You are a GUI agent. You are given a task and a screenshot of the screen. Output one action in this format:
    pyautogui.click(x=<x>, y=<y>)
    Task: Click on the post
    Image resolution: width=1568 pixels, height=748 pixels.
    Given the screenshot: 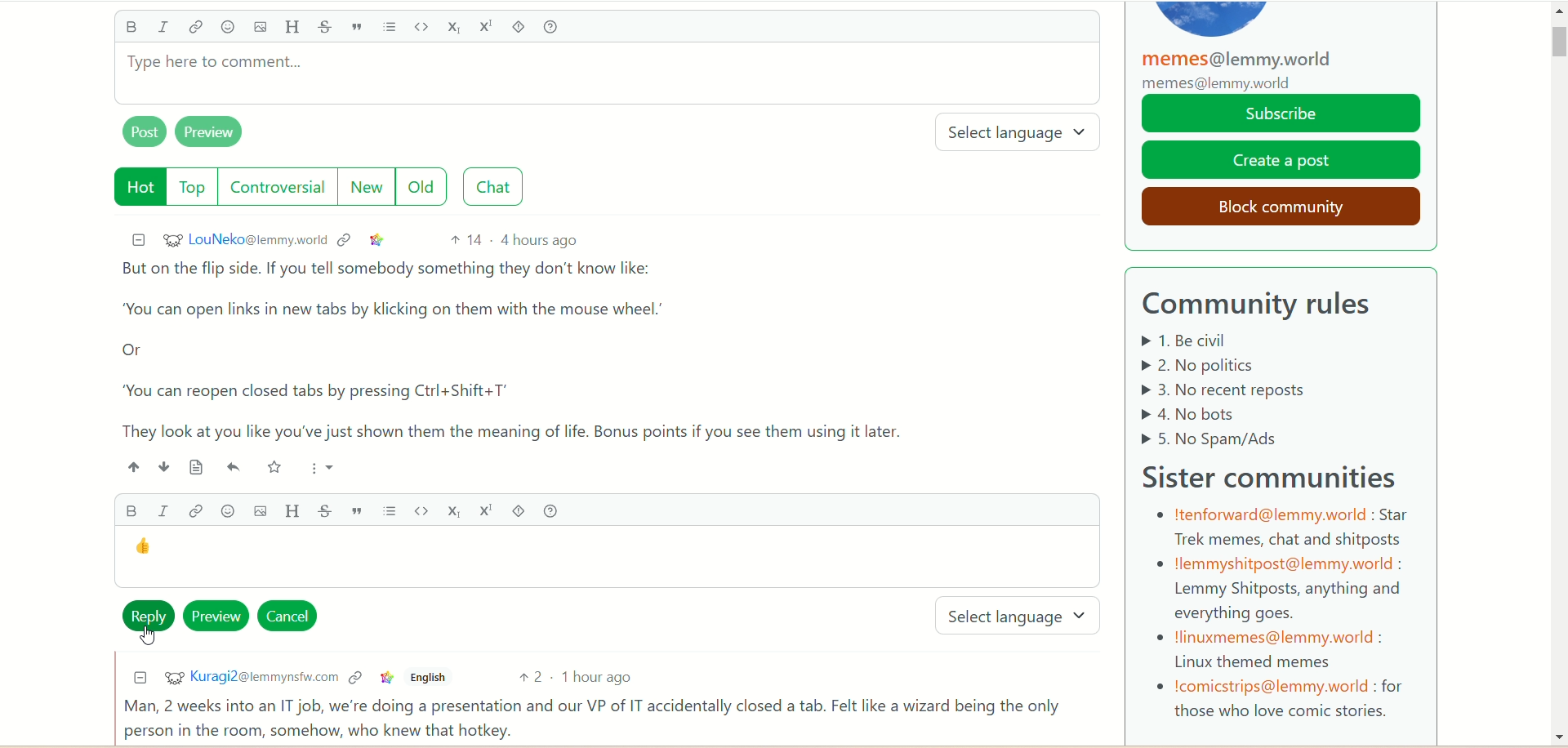 What is the action you would take?
    pyautogui.click(x=140, y=134)
    